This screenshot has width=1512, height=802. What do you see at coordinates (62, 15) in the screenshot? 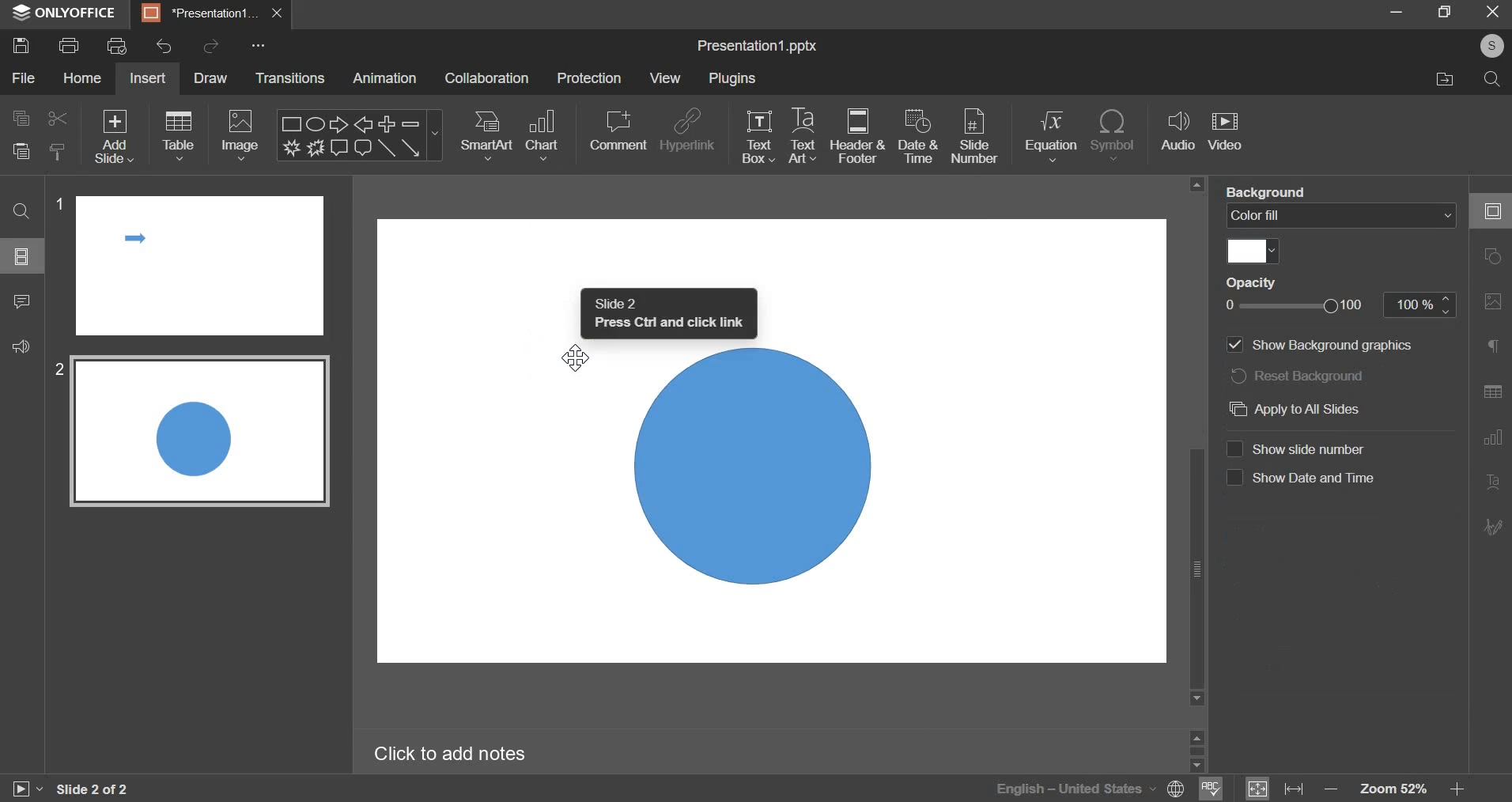
I see `ONLYOFFICE` at bounding box center [62, 15].